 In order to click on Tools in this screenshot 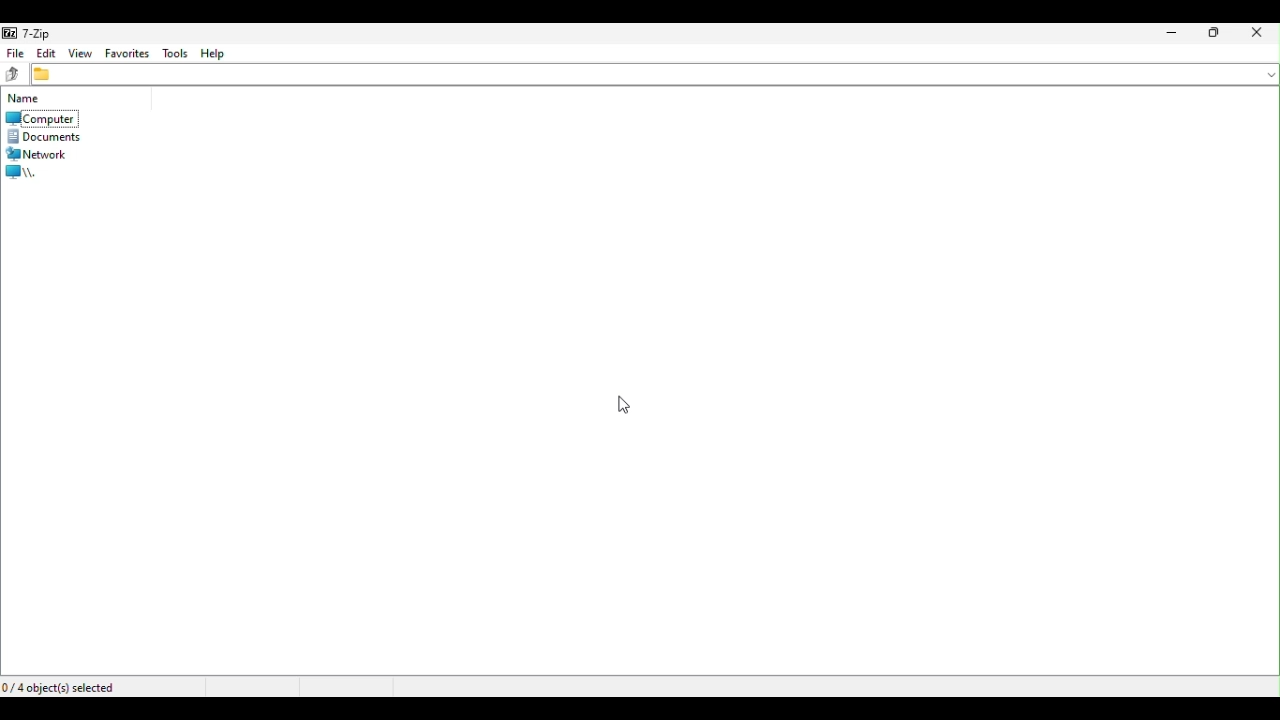, I will do `click(173, 54)`.